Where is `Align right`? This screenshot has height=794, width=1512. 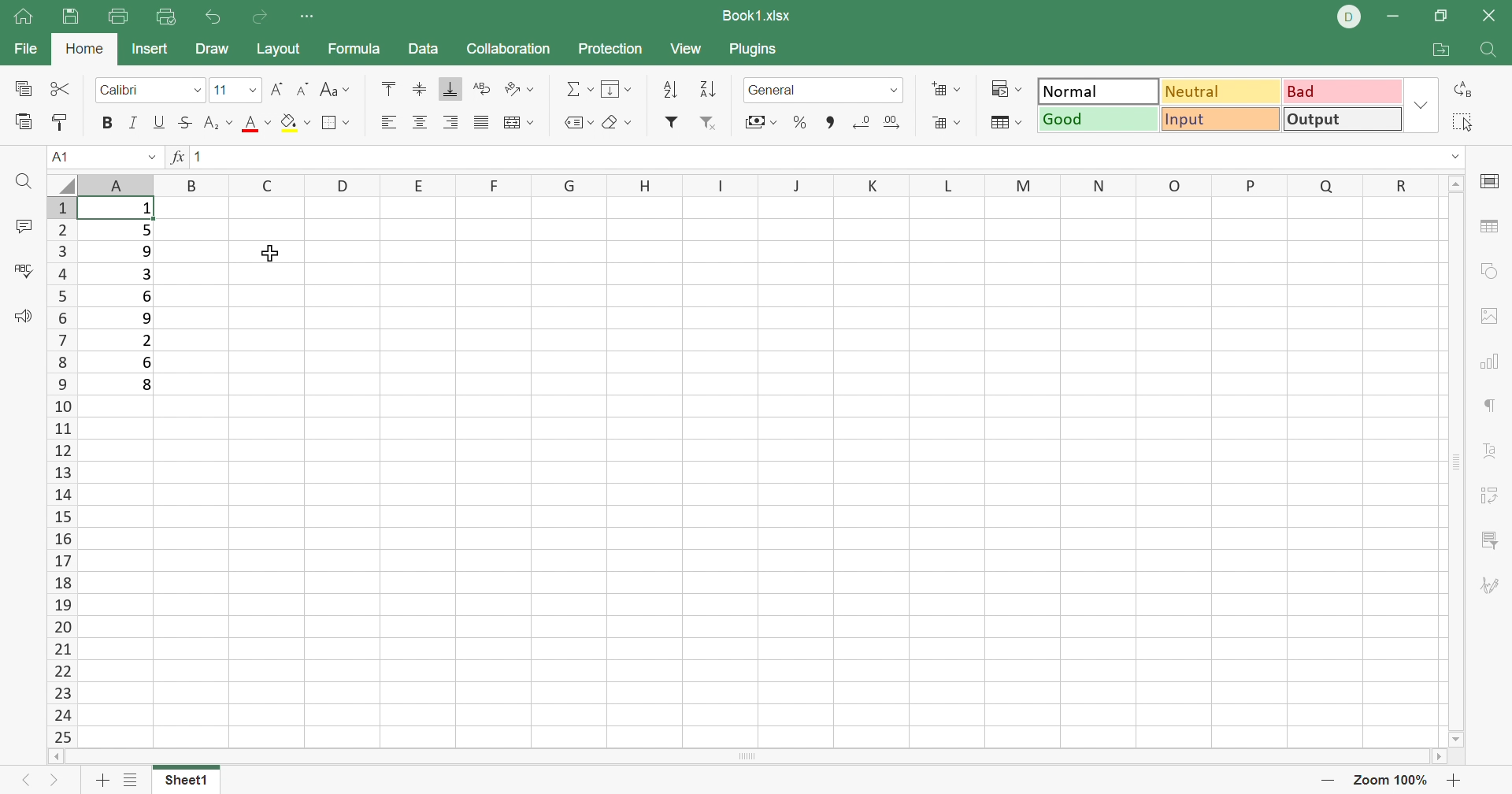 Align right is located at coordinates (451, 121).